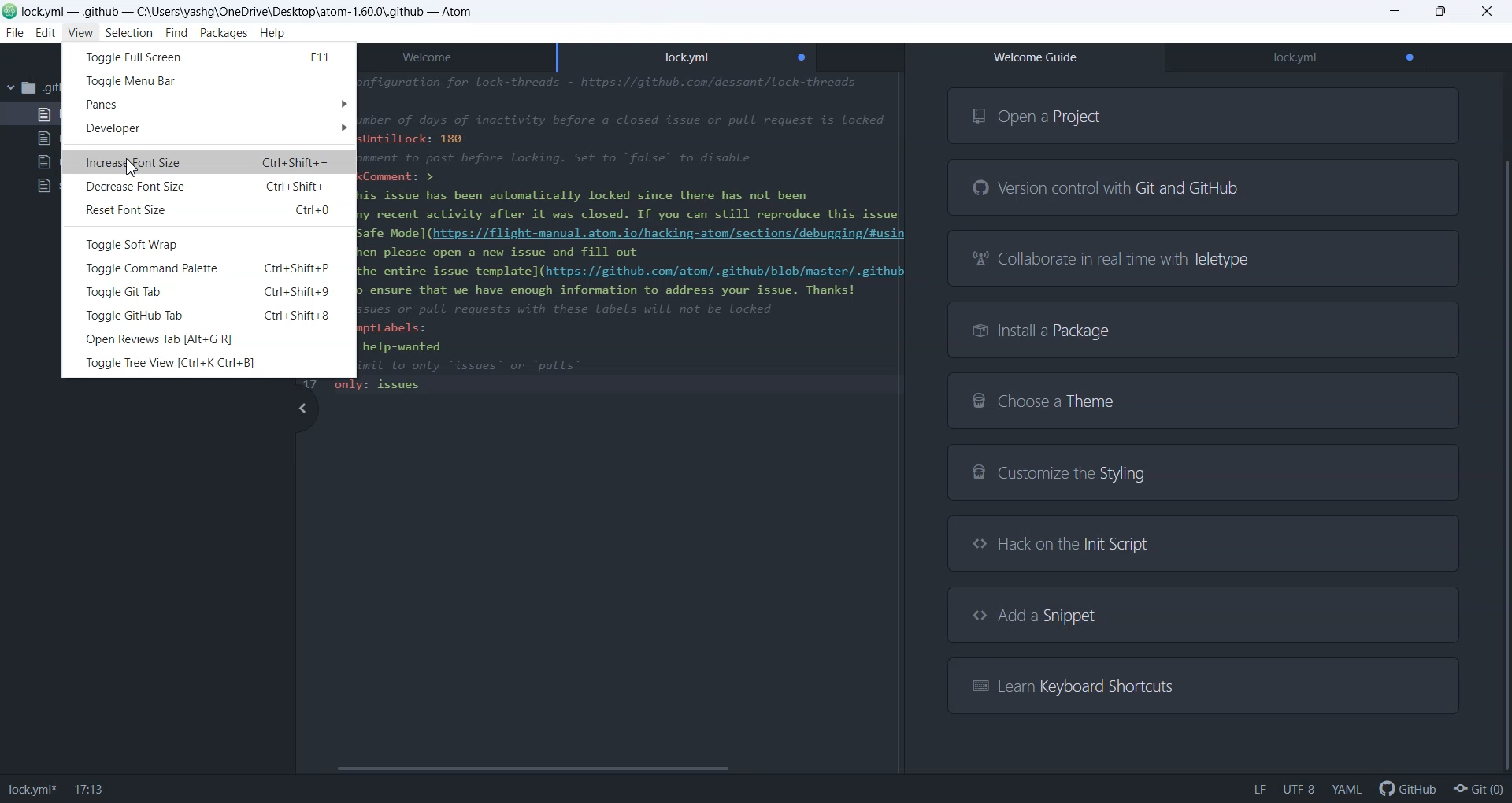  I want to click on Toggle git hub Tab, so click(209, 314).